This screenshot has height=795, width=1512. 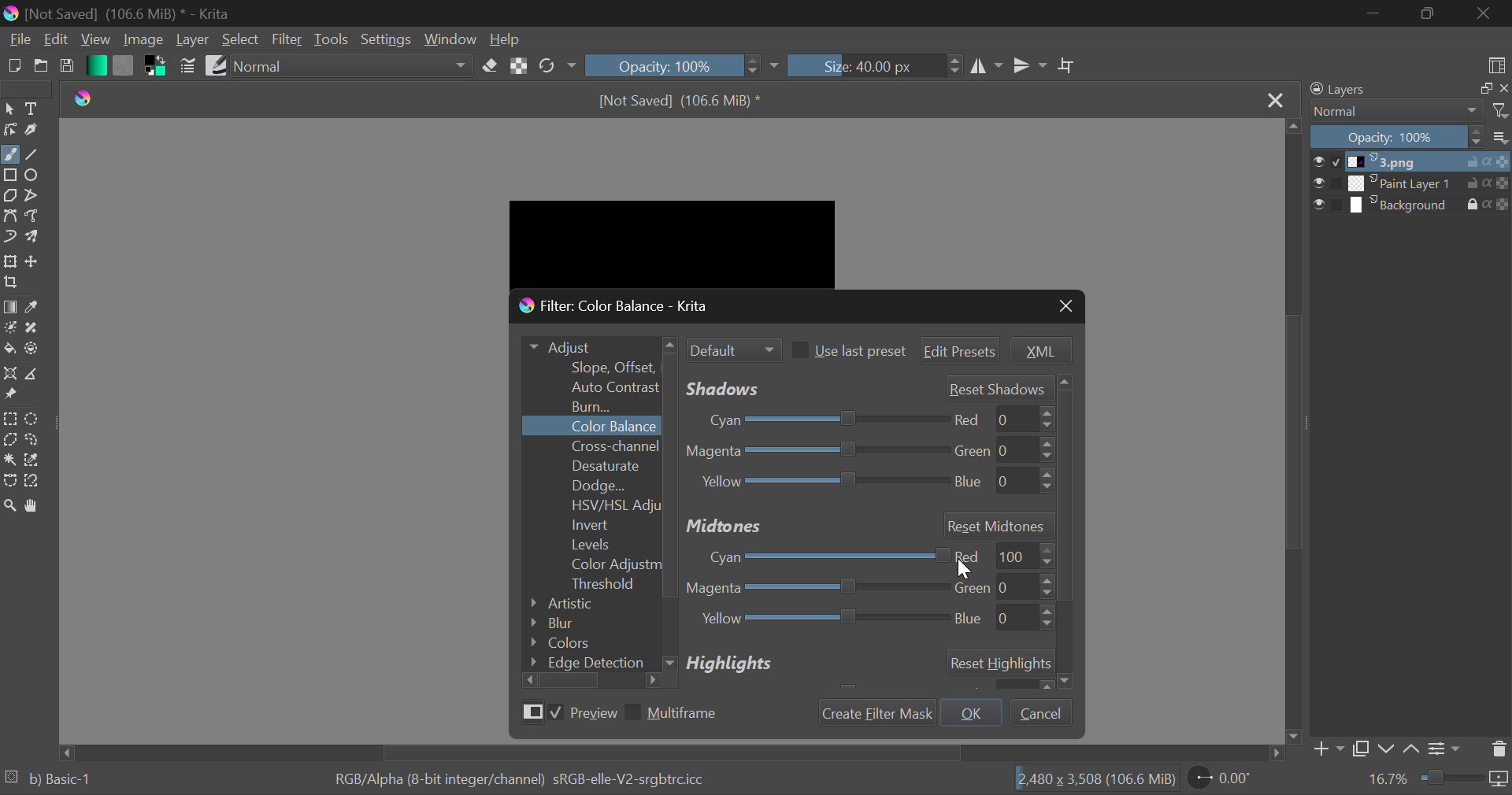 What do you see at coordinates (35, 327) in the screenshot?
I see `Smart Patch Tool` at bounding box center [35, 327].